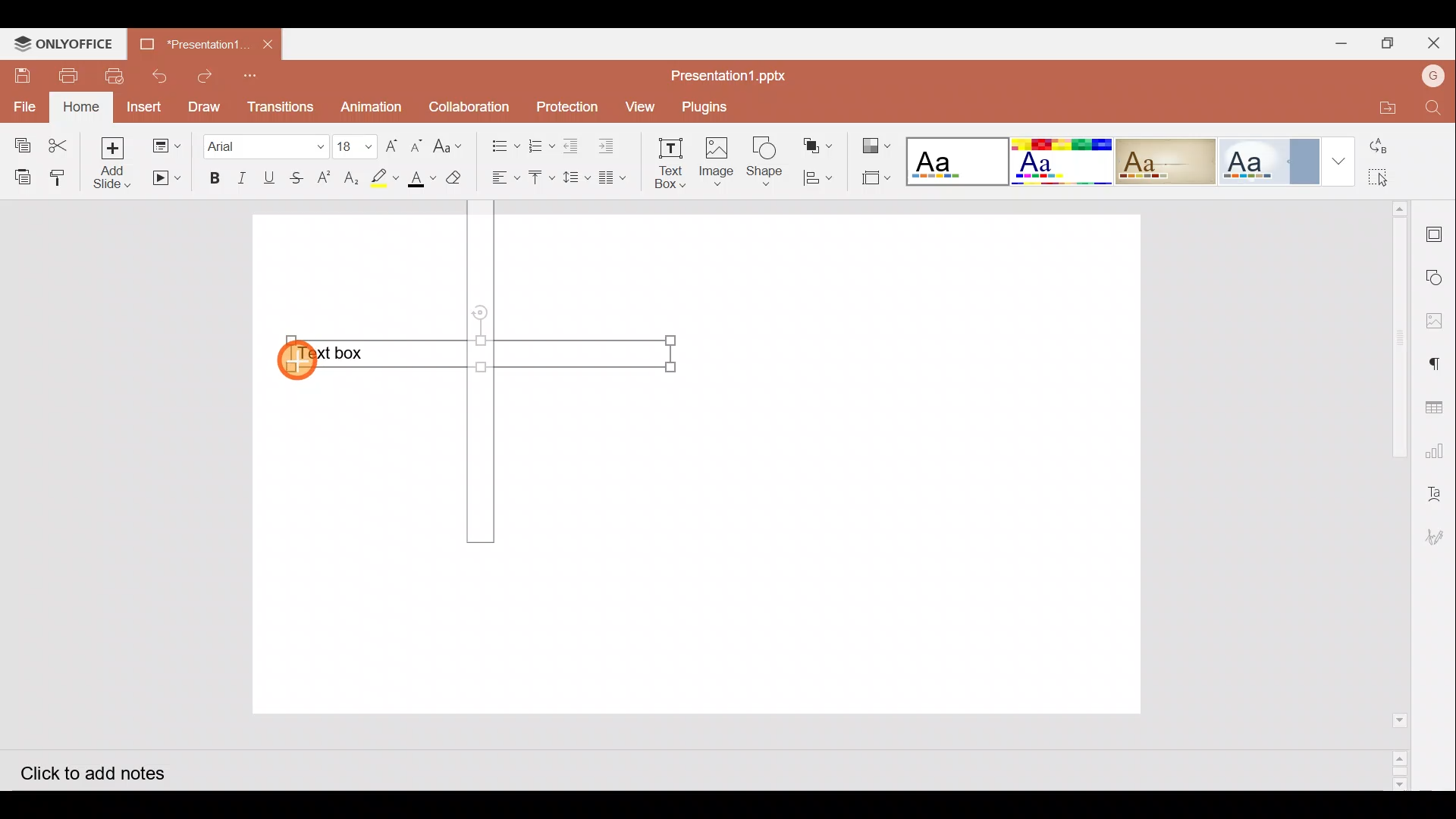 The height and width of the screenshot is (819, 1456). What do you see at coordinates (1432, 74) in the screenshot?
I see `Account name` at bounding box center [1432, 74].